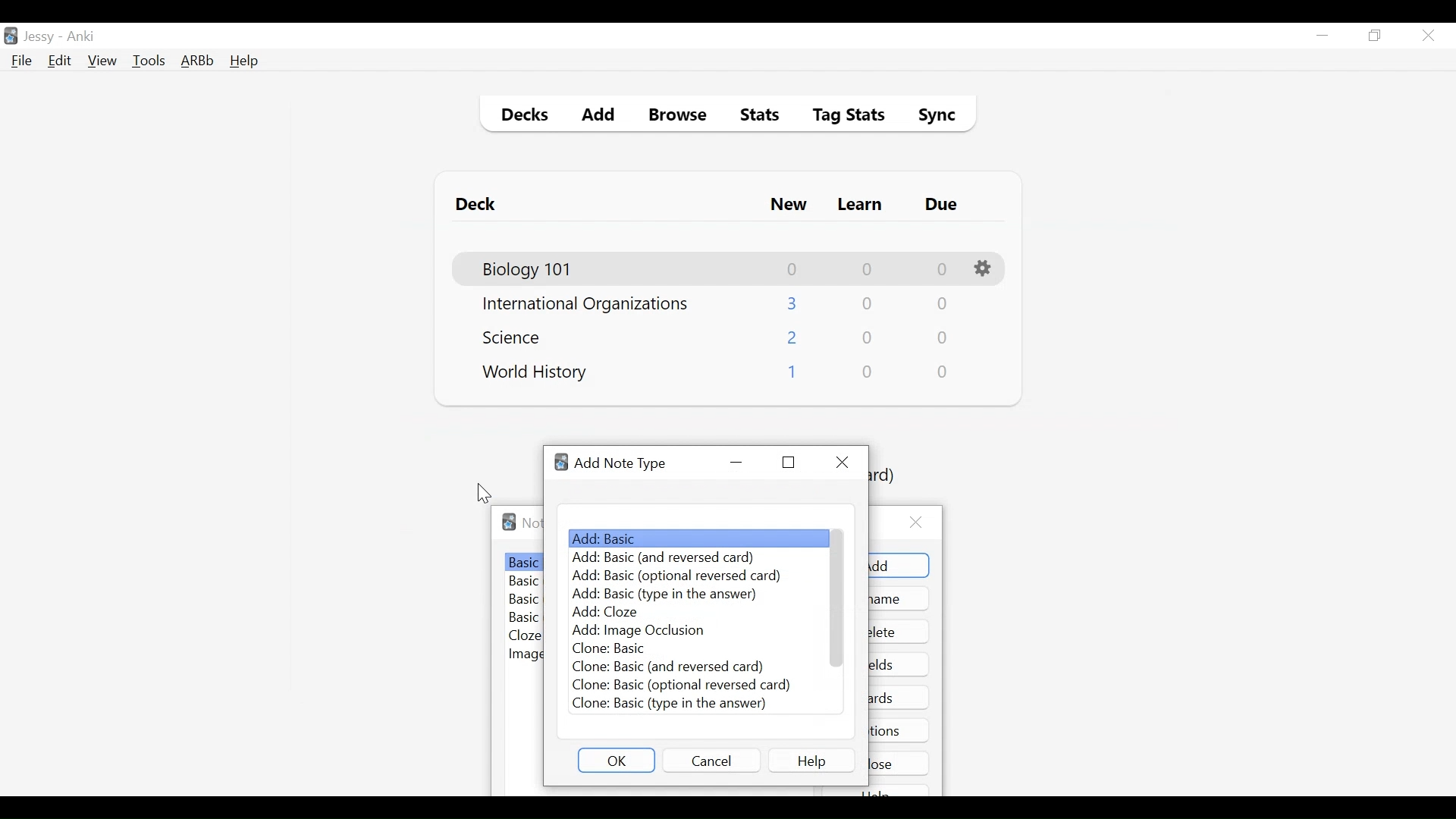 The image size is (1456, 819). I want to click on clone: Basic, so click(617, 648).